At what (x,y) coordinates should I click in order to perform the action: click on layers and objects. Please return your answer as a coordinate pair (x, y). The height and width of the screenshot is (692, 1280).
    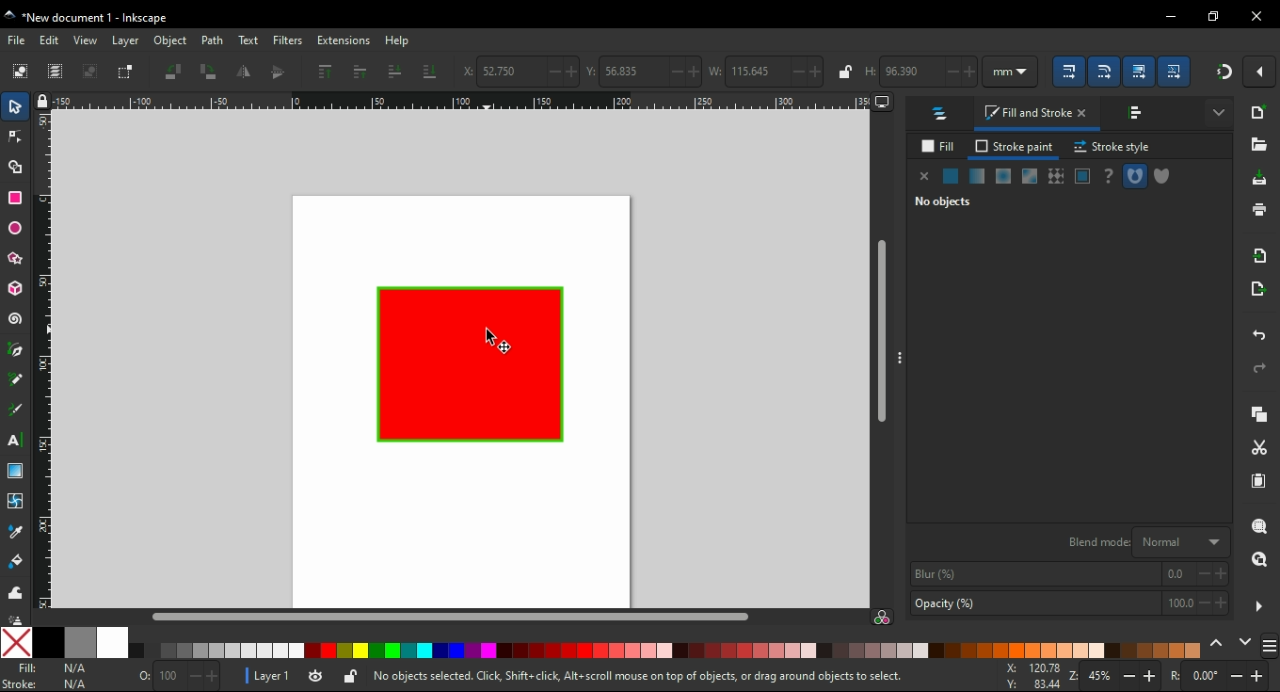
    Looking at the image, I should click on (943, 113).